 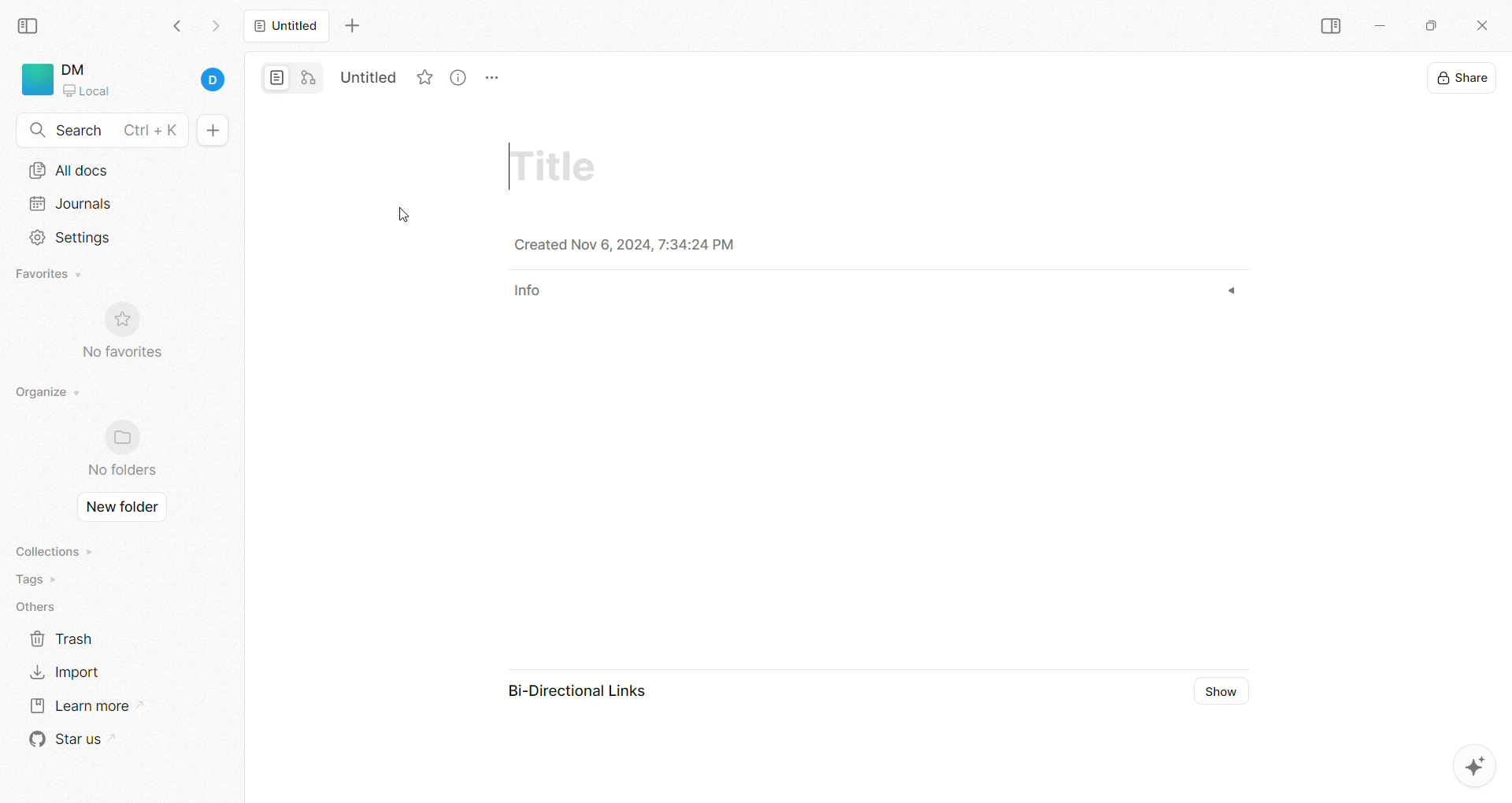 What do you see at coordinates (67, 739) in the screenshot?
I see `star us` at bounding box center [67, 739].